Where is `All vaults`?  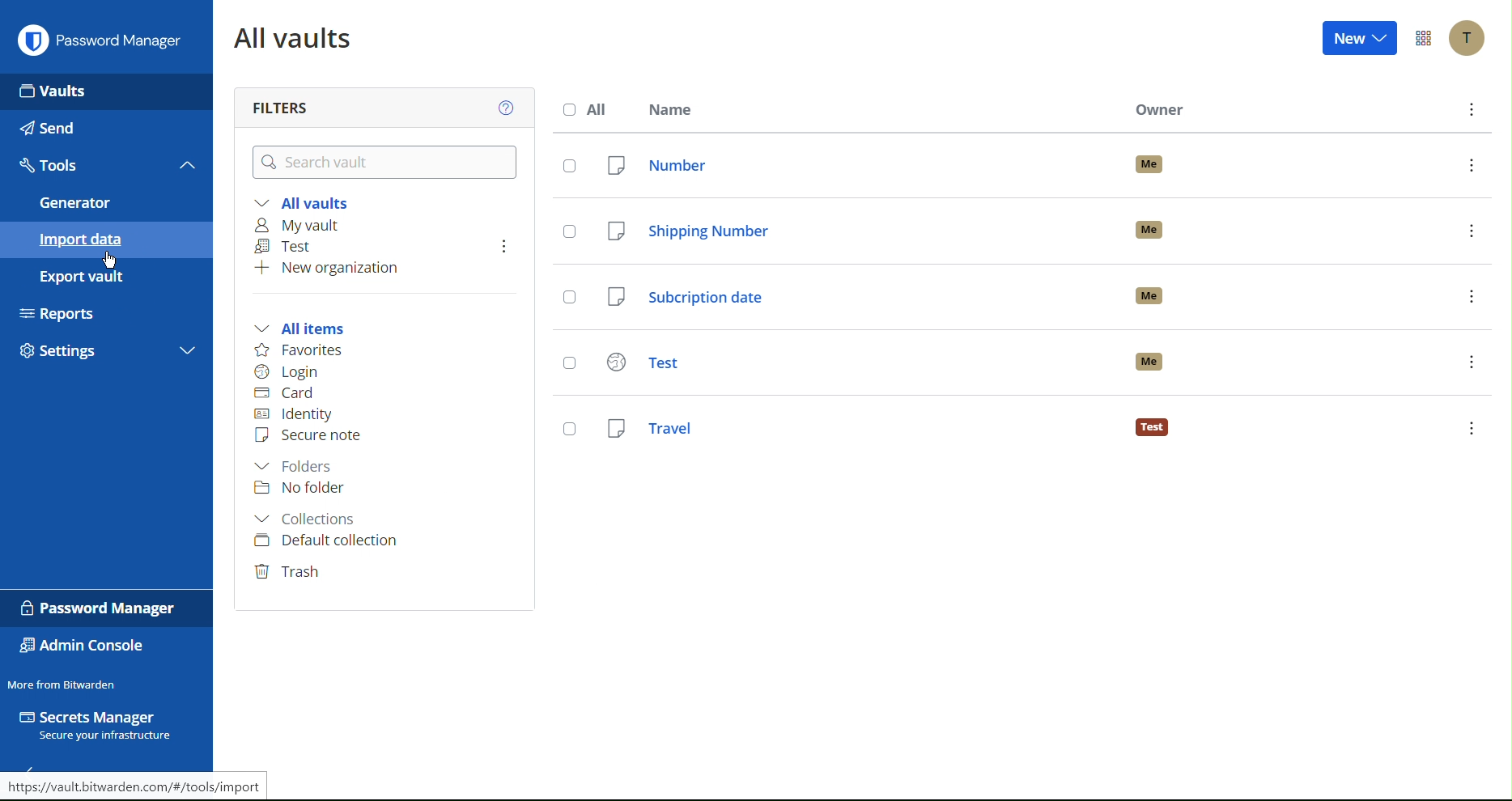 All vaults is located at coordinates (297, 38).